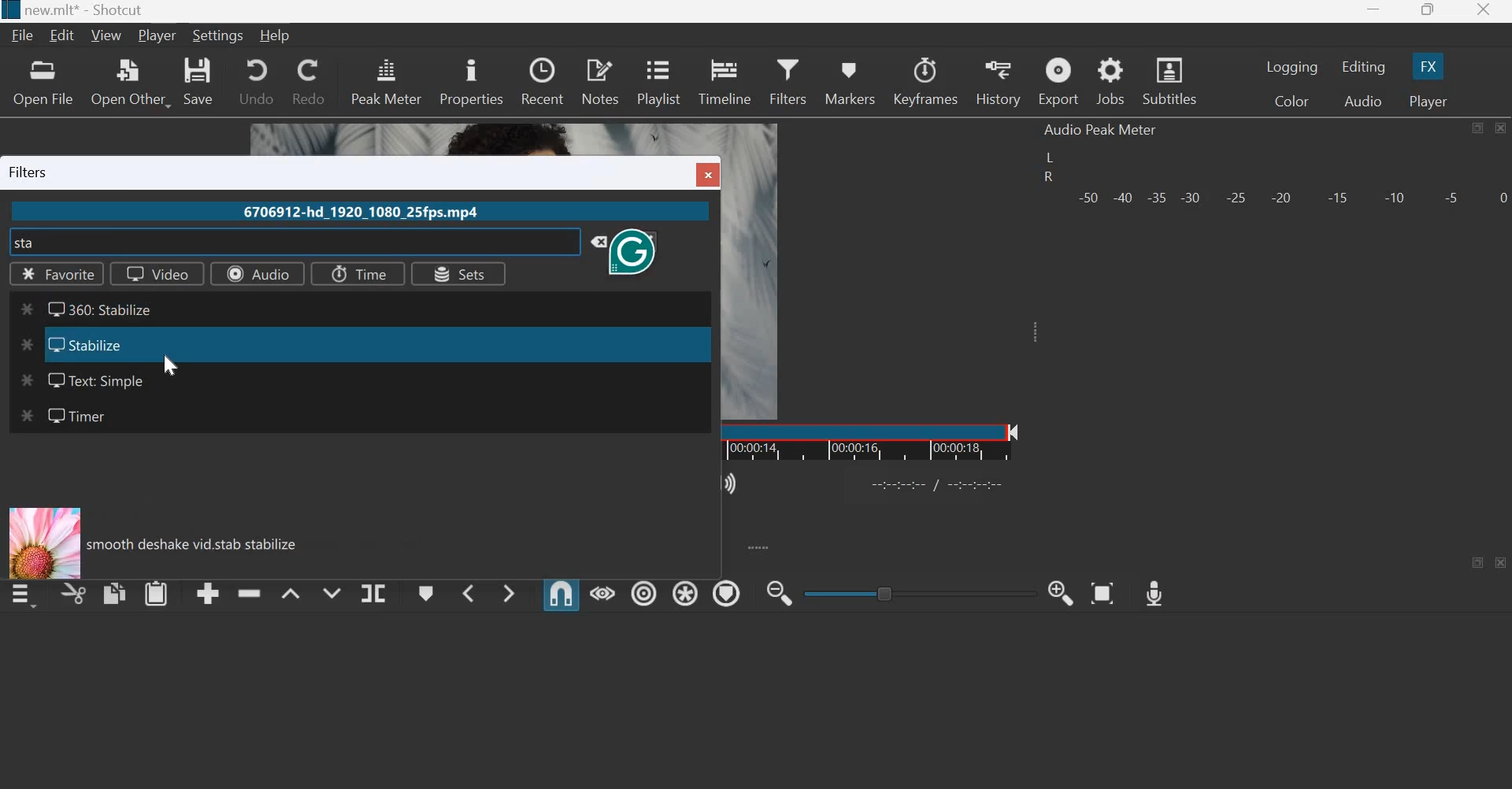  What do you see at coordinates (592, 242) in the screenshot?
I see `clear` at bounding box center [592, 242].